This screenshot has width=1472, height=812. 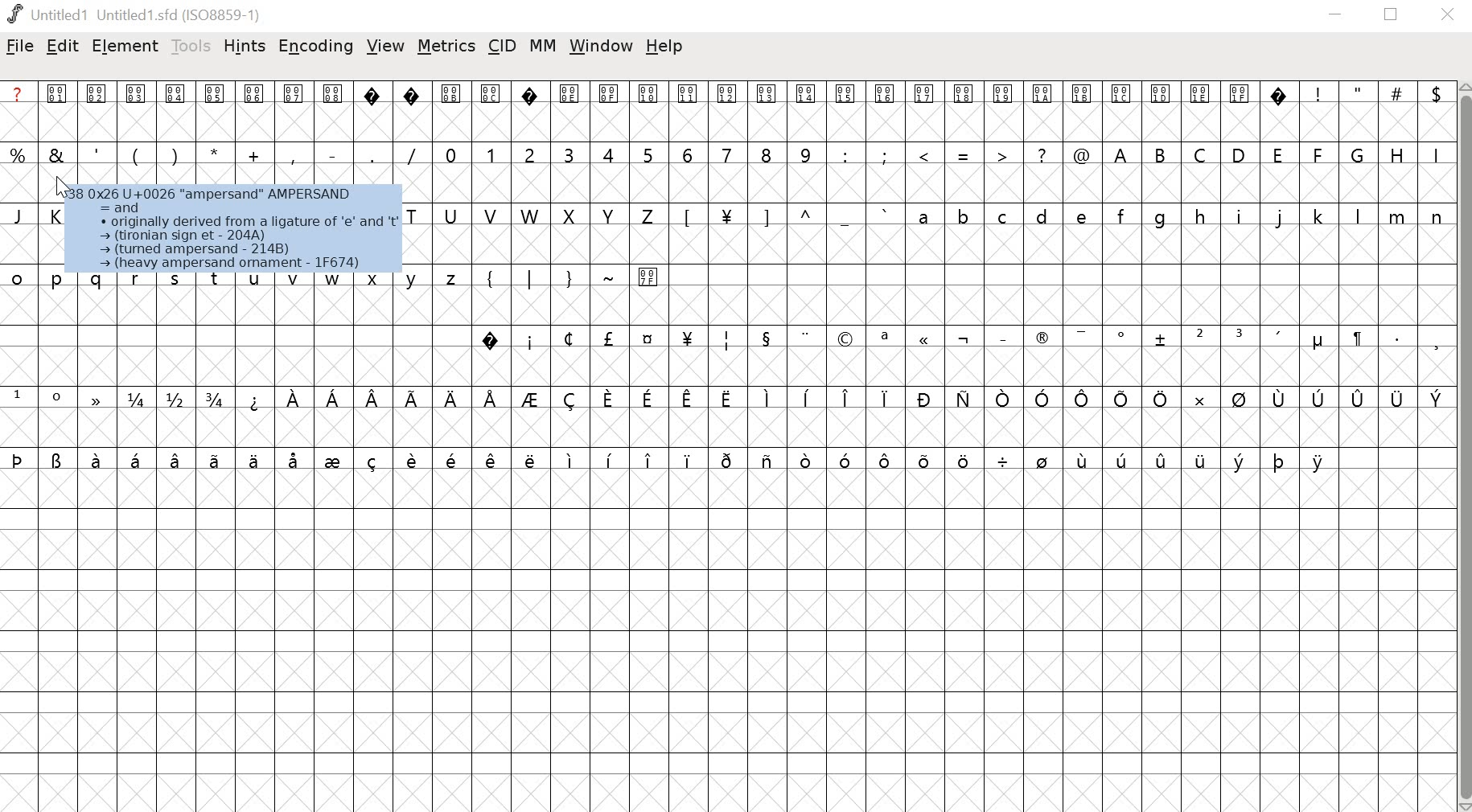 What do you see at coordinates (1082, 335) in the screenshot?
I see `symbol` at bounding box center [1082, 335].